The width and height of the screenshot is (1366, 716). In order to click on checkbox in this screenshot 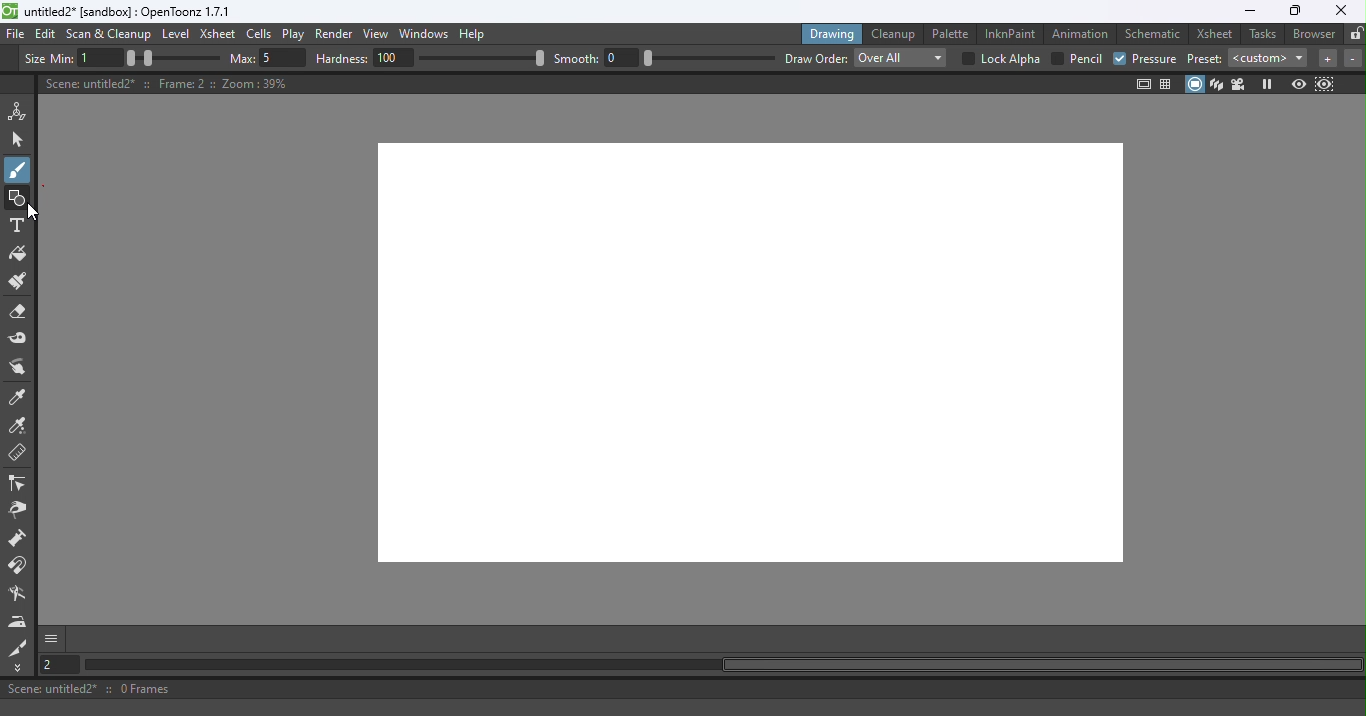, I will do `click(968, 60)`.